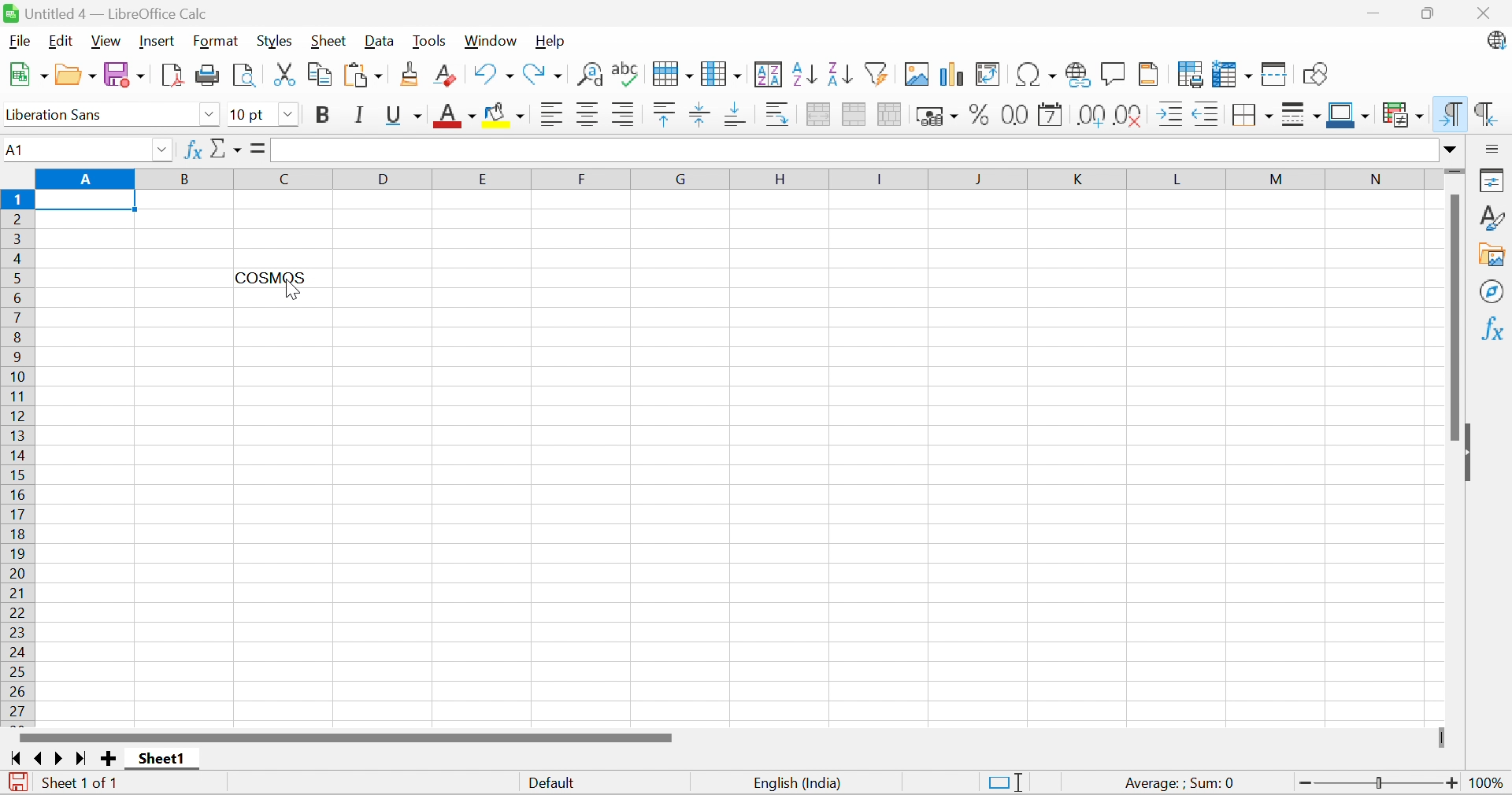 This screenshot has height=795, width=1512. I want to click on Scroll To First Sheet, so click(15, 757).